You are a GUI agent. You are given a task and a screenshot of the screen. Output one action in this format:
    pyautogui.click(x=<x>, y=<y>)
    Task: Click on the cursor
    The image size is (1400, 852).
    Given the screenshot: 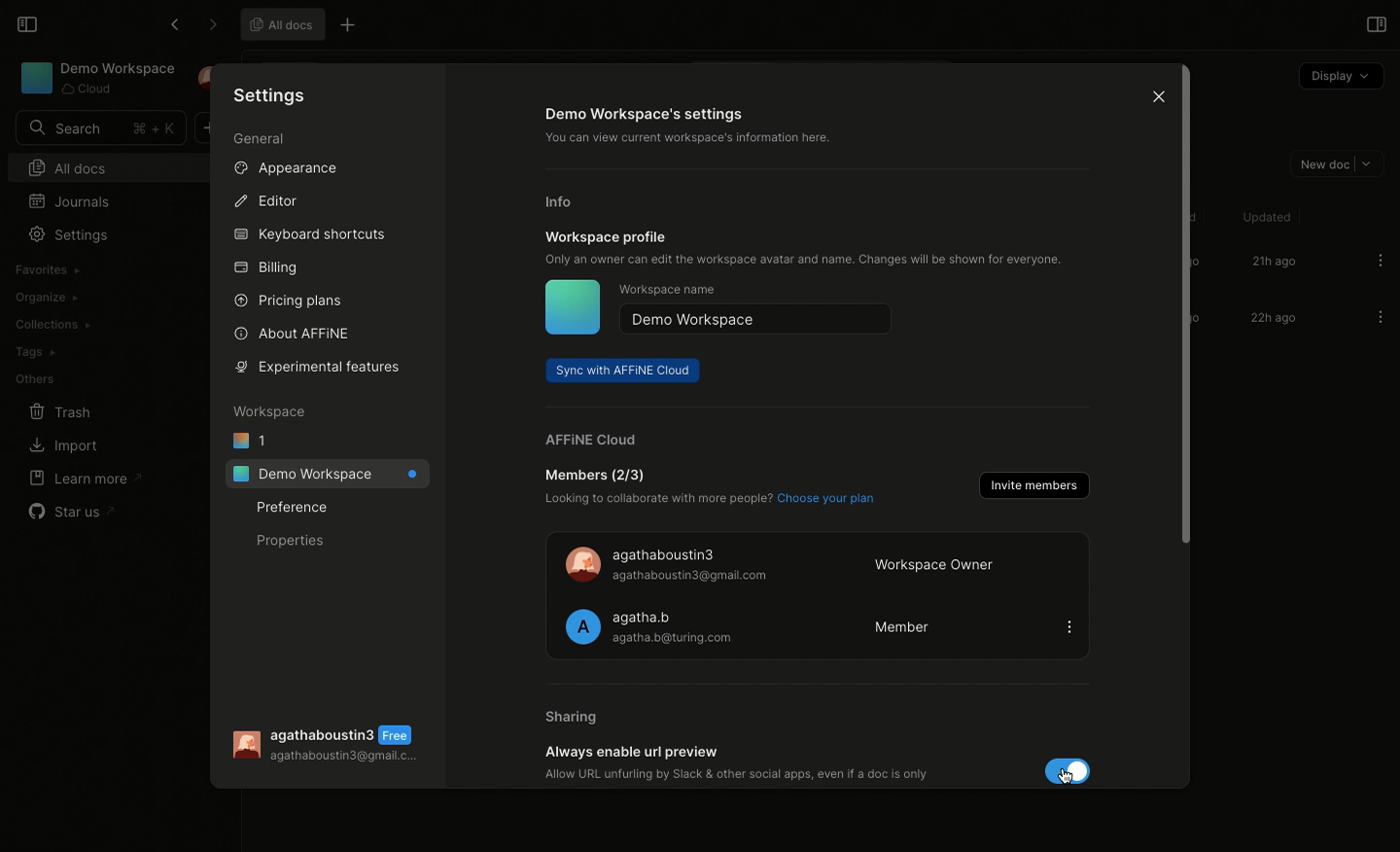 What is the action you would take?
    pyautogui.click(x=1066, y=771)
    